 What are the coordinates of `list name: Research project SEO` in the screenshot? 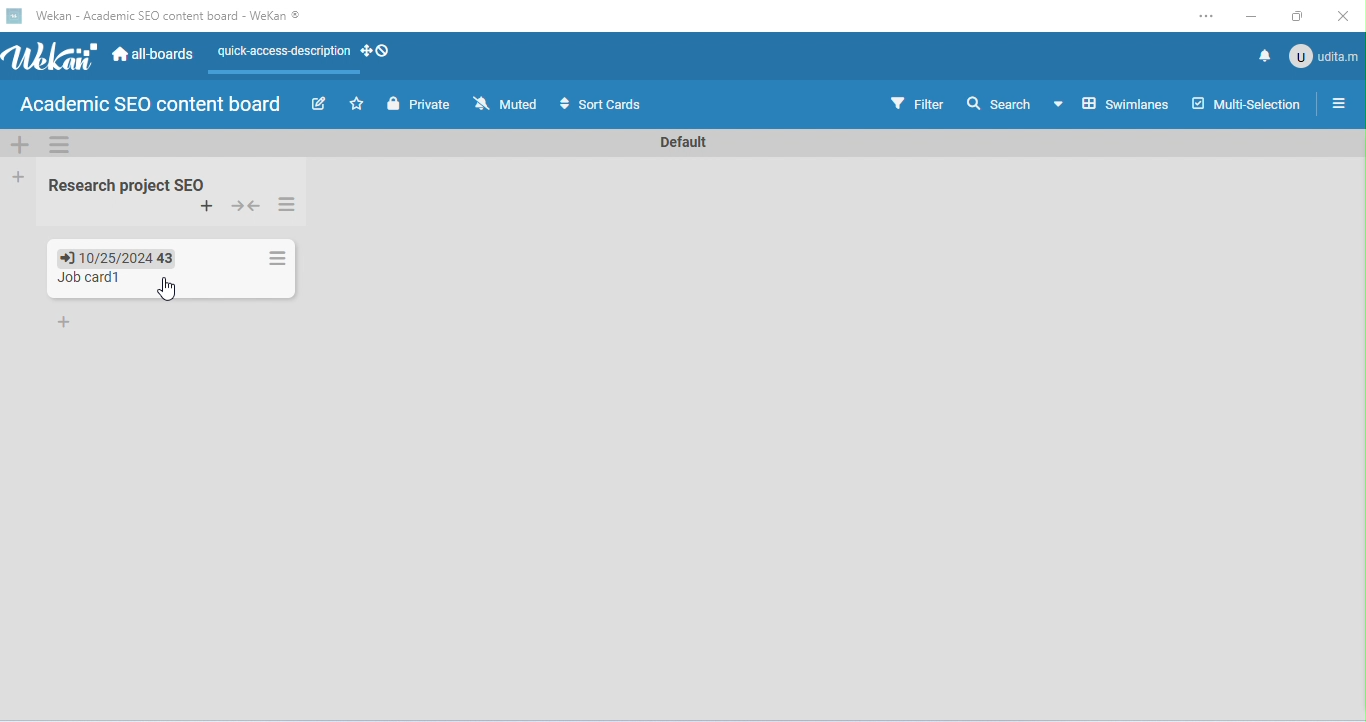 It's located at (131, 184).